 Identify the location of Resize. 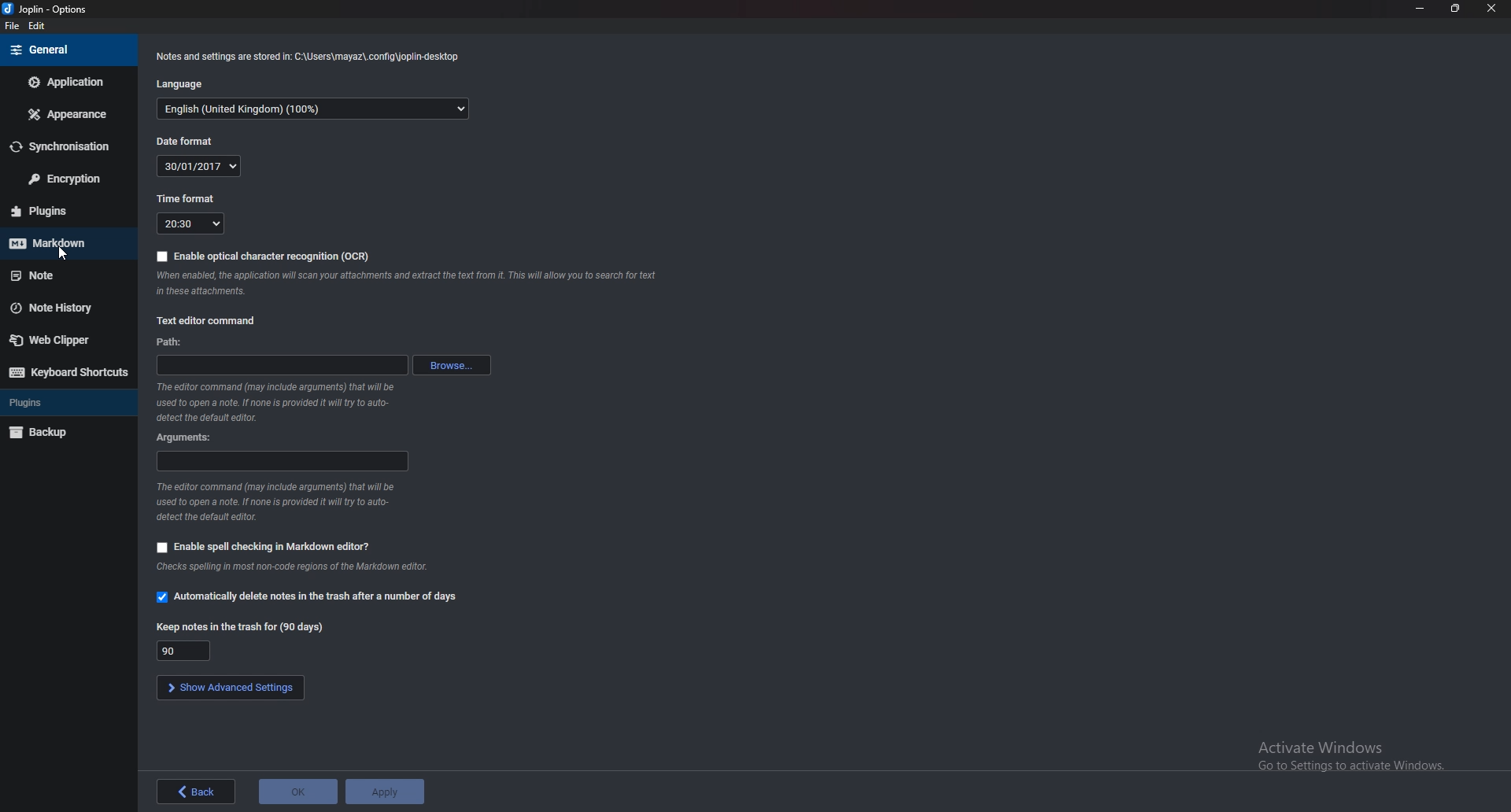
(1454, 9).